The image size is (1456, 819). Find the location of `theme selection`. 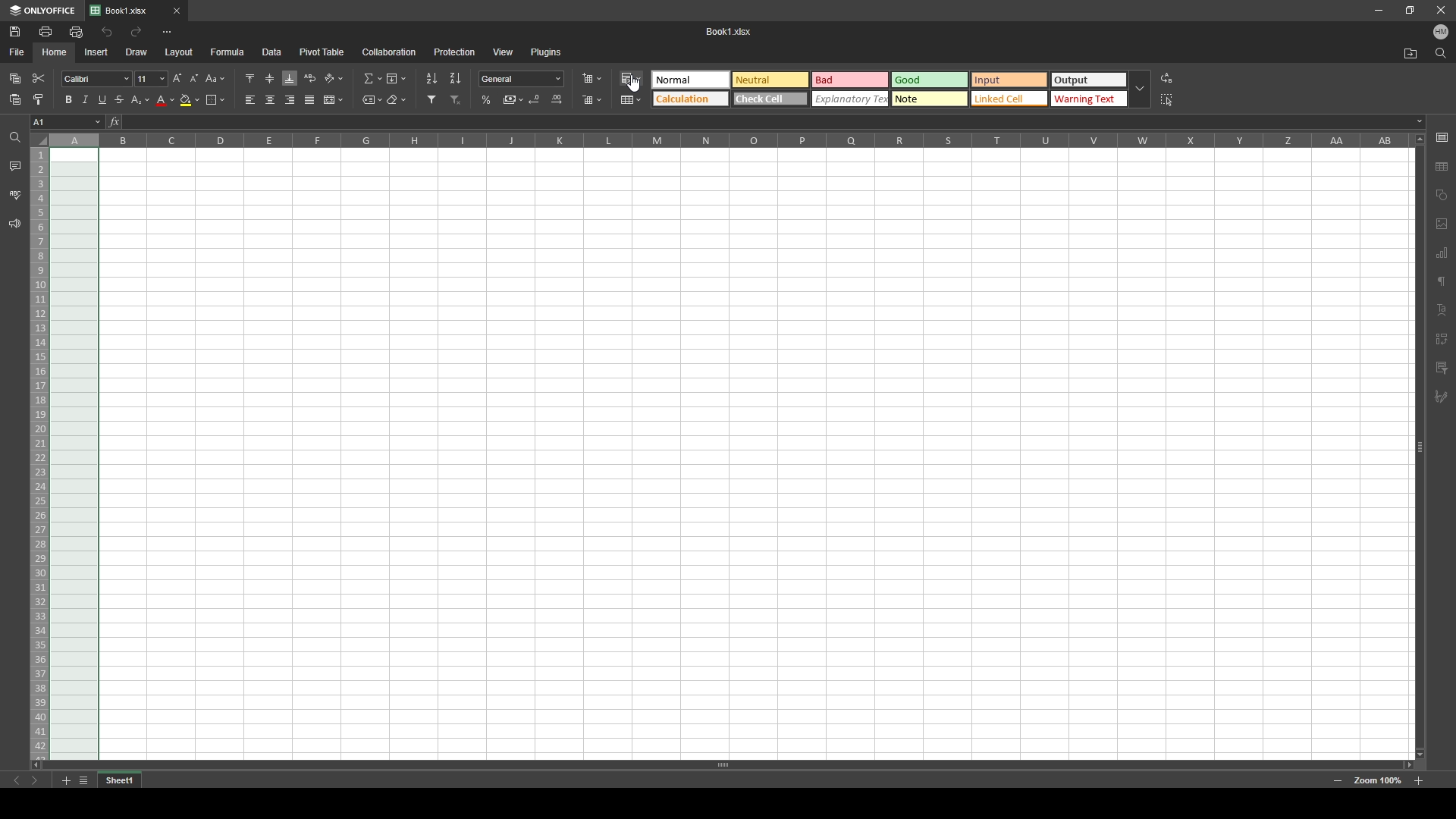

theme selection is located at coordinates (887, 89).